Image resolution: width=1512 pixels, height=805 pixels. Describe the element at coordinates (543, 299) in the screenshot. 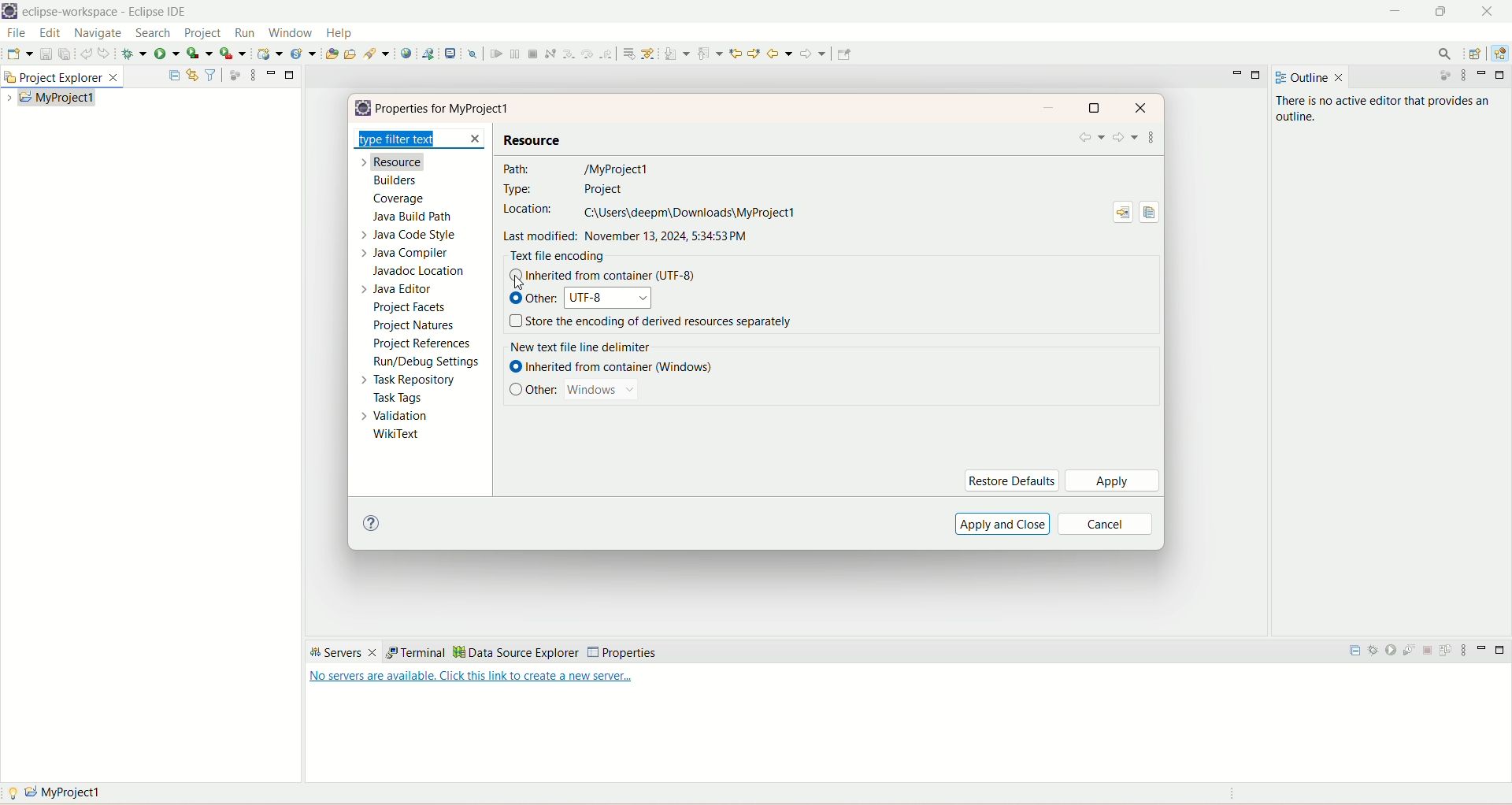

I see `other` at that location.